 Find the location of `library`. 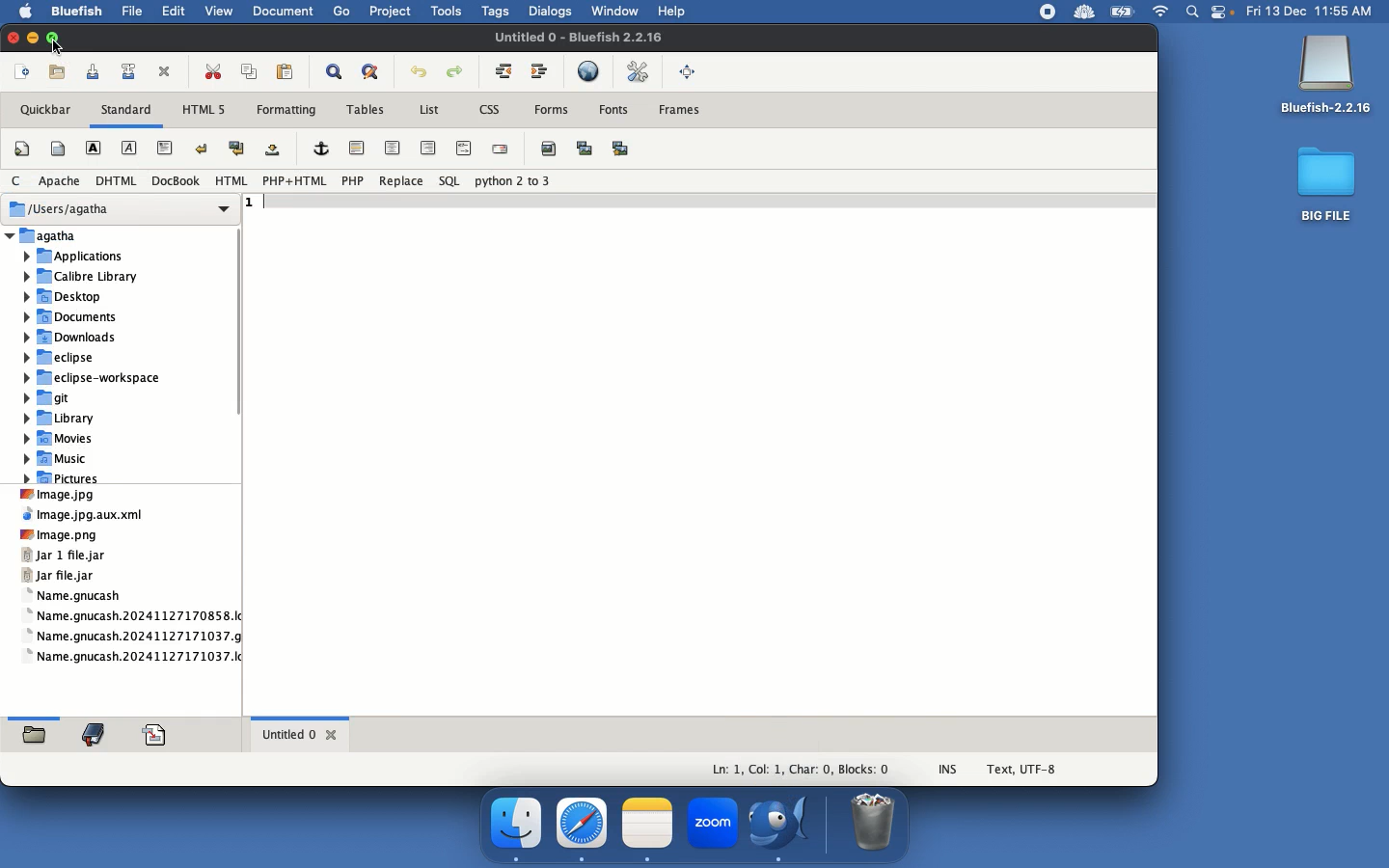

library is located at coordinates (99, 733).